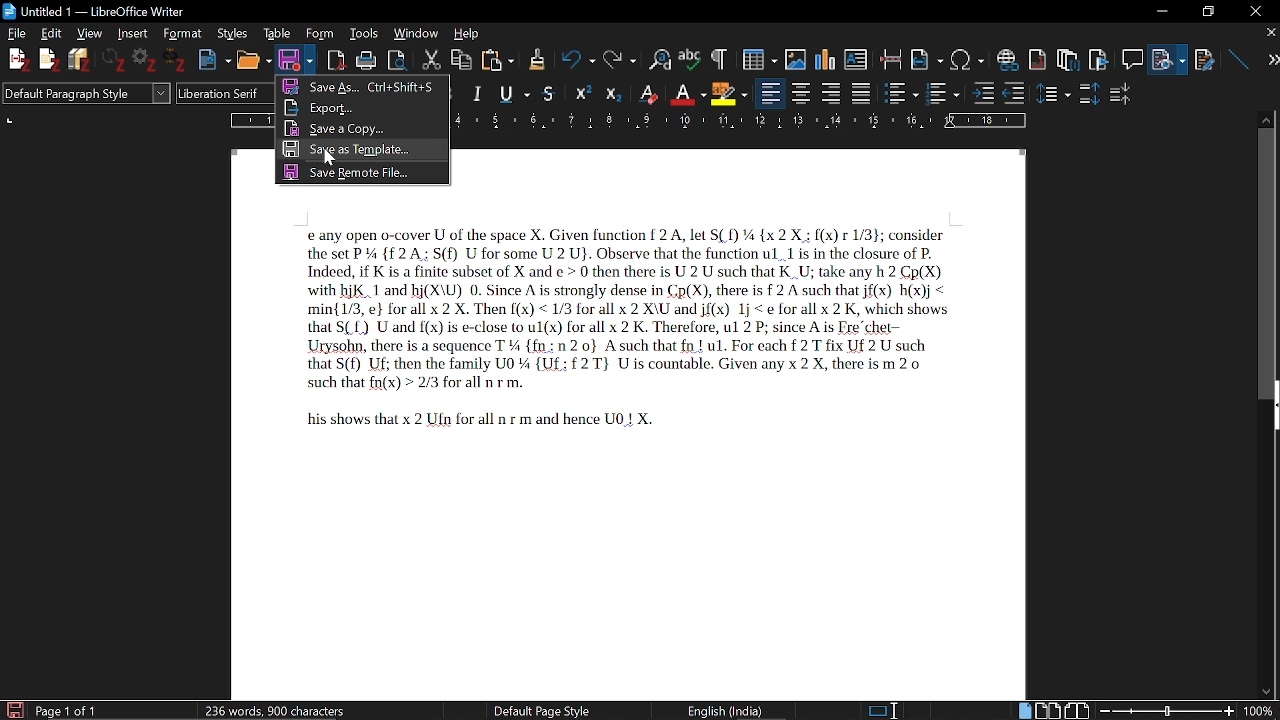 The width and height of the screenshot is (1280, 720). What do you see at coordinates (19, 34) in the screenshot?
I see `File` at bounding box center [19, 34].